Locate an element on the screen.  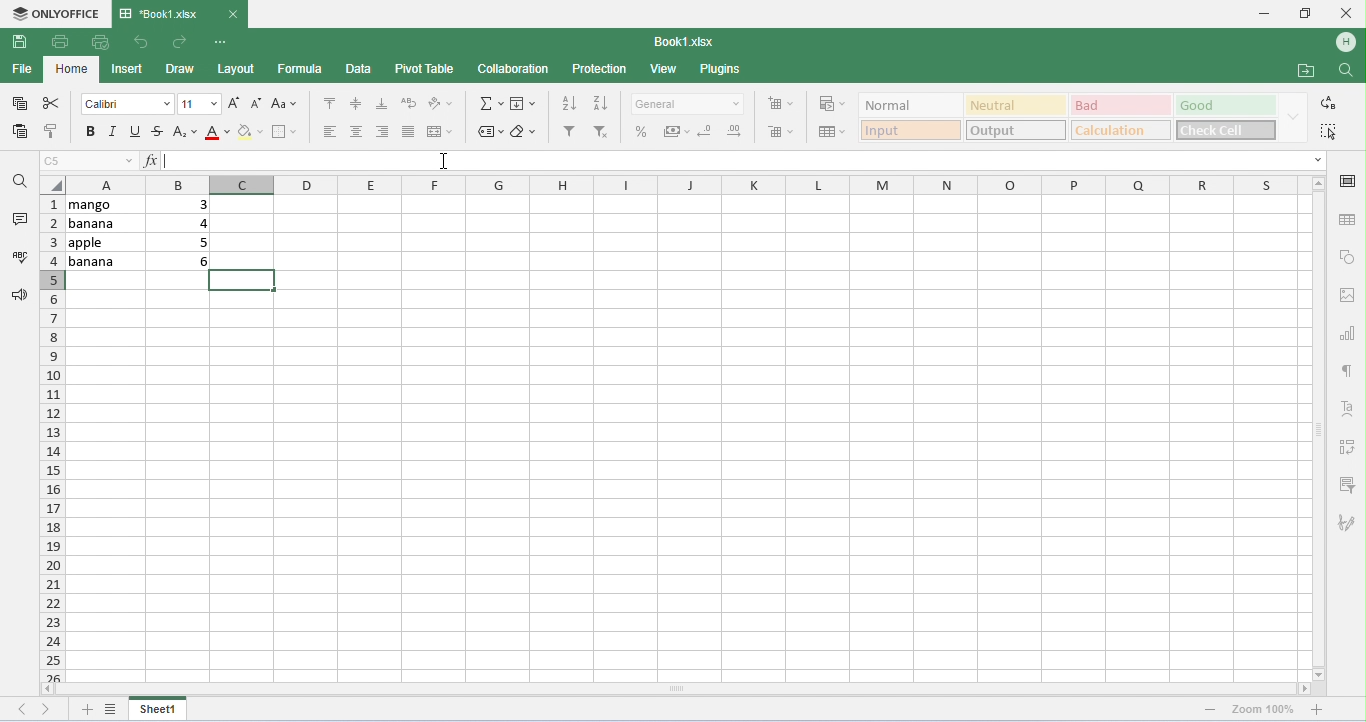
orientation is located at coordinates (442, 105).